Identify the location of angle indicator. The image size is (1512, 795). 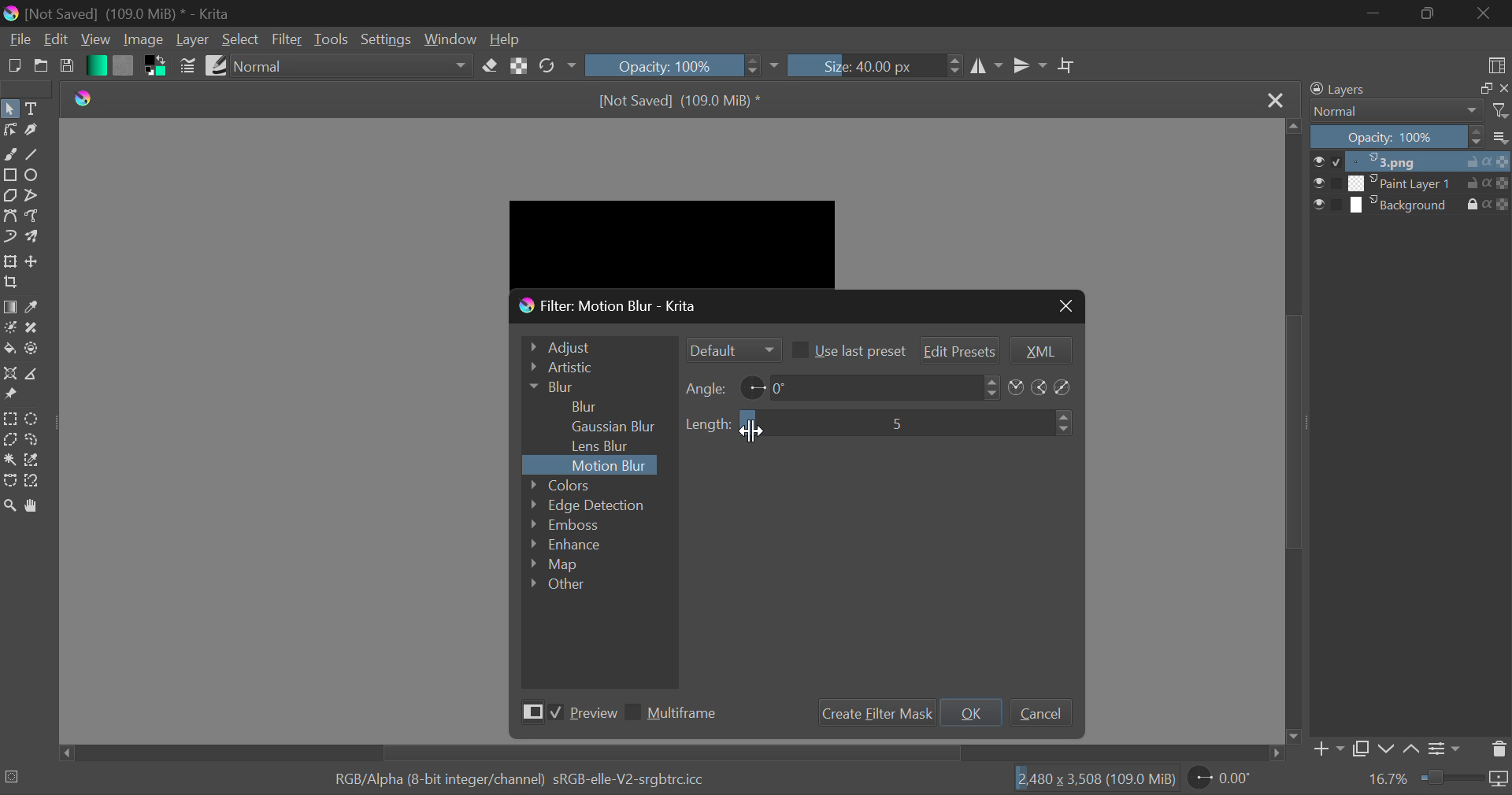
(753, 386).